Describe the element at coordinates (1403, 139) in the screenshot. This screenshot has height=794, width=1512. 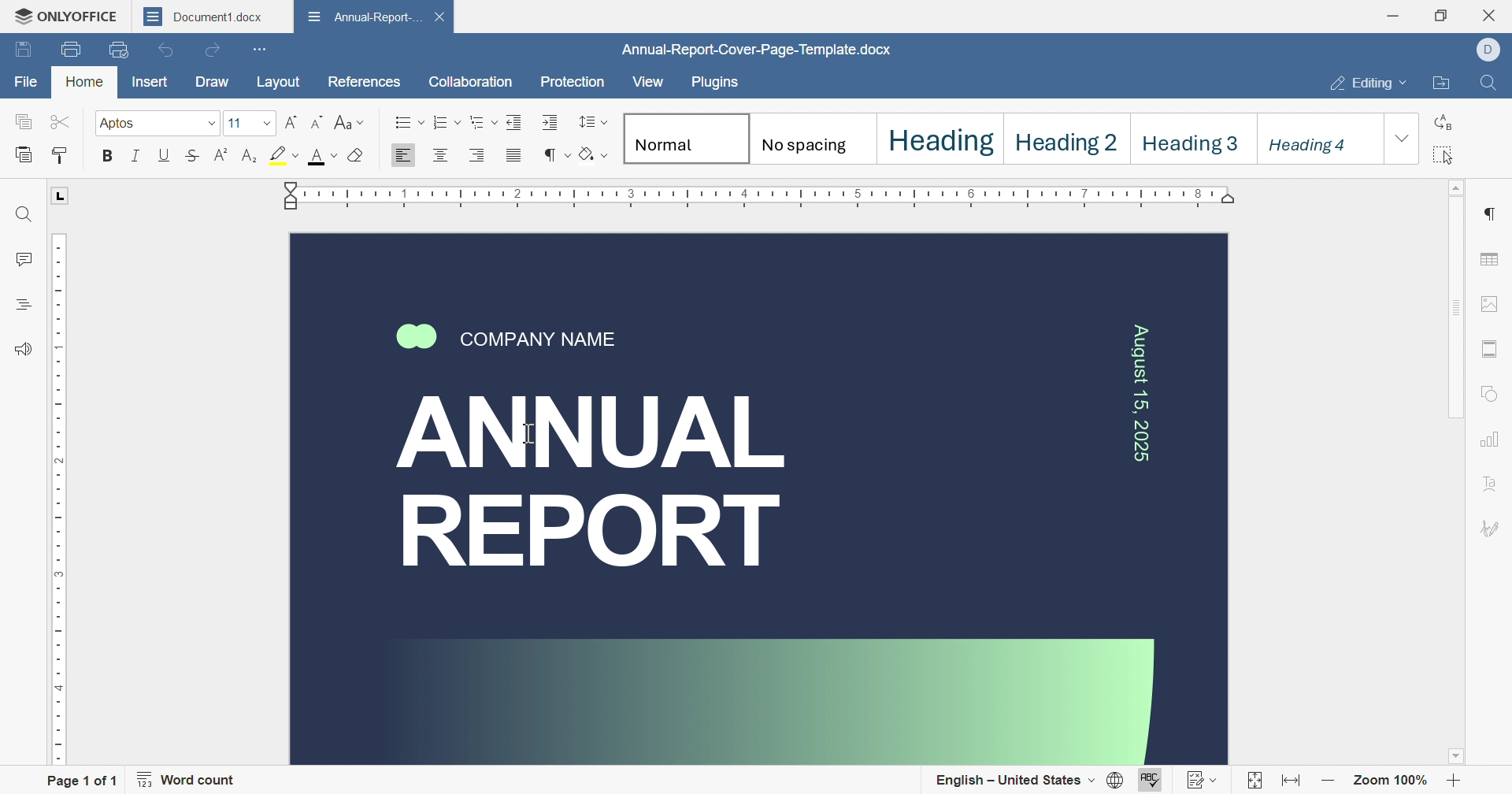
I see `drop down` at that location.